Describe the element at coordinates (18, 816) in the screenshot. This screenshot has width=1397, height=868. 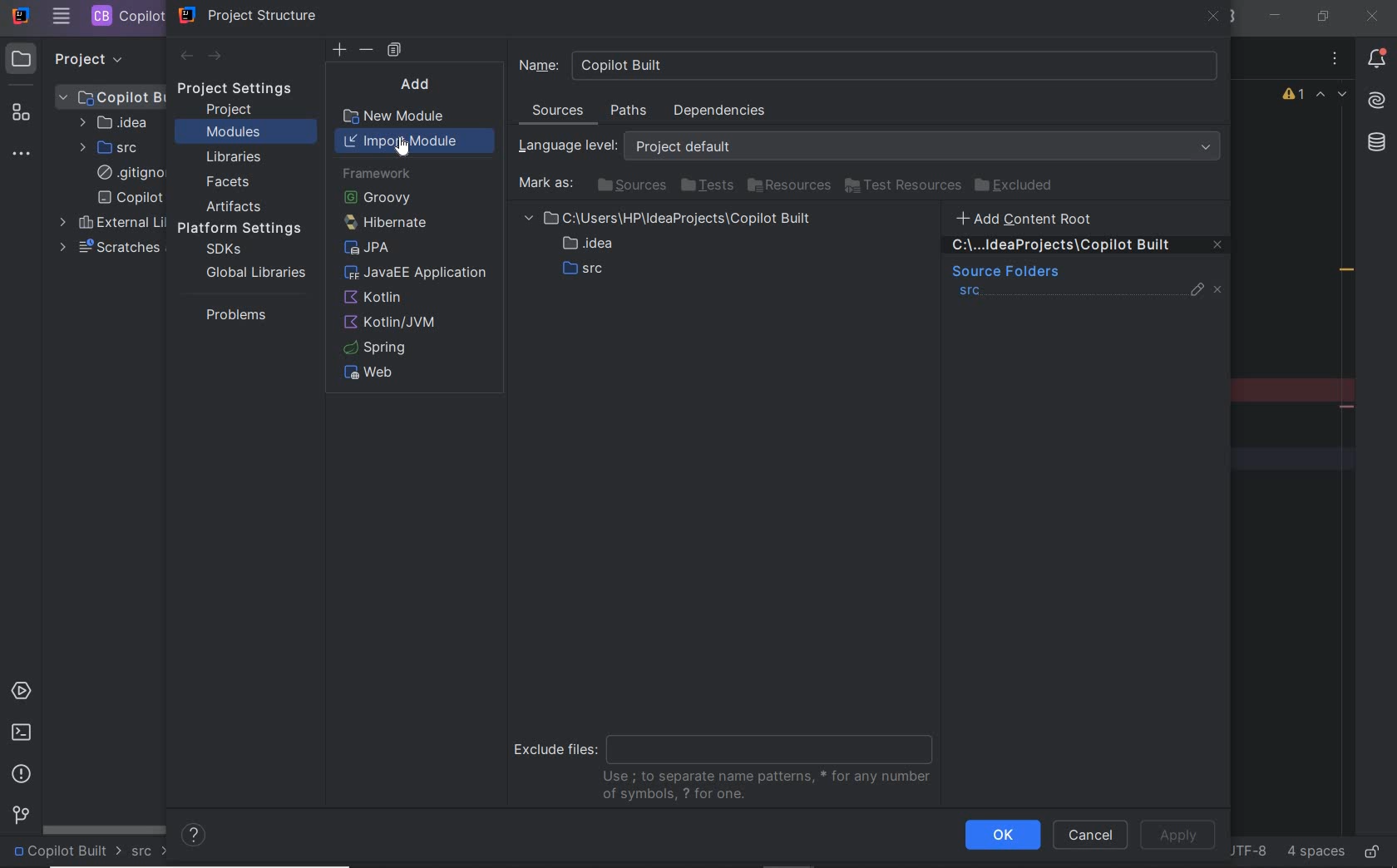
I see `version control` at that location.